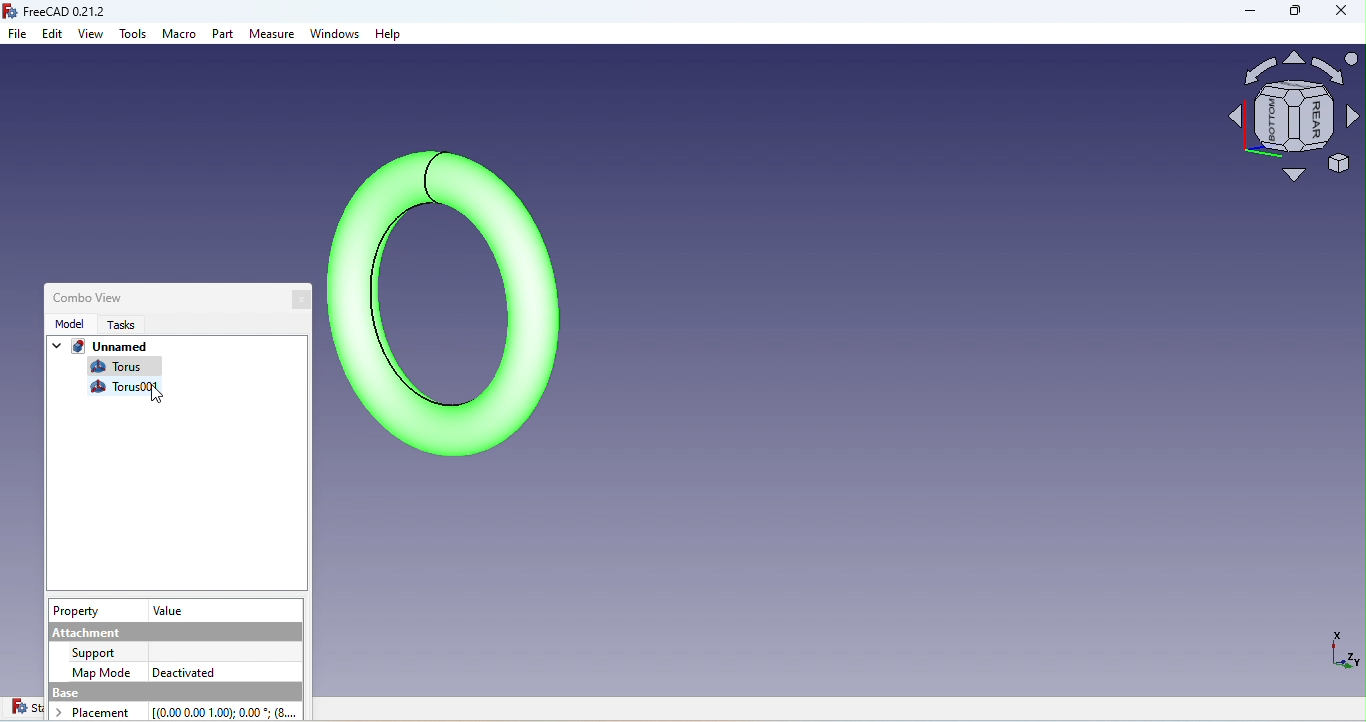  Describe the element at coordinates (304, 301) in the screenshot. I see `Close` at that location.